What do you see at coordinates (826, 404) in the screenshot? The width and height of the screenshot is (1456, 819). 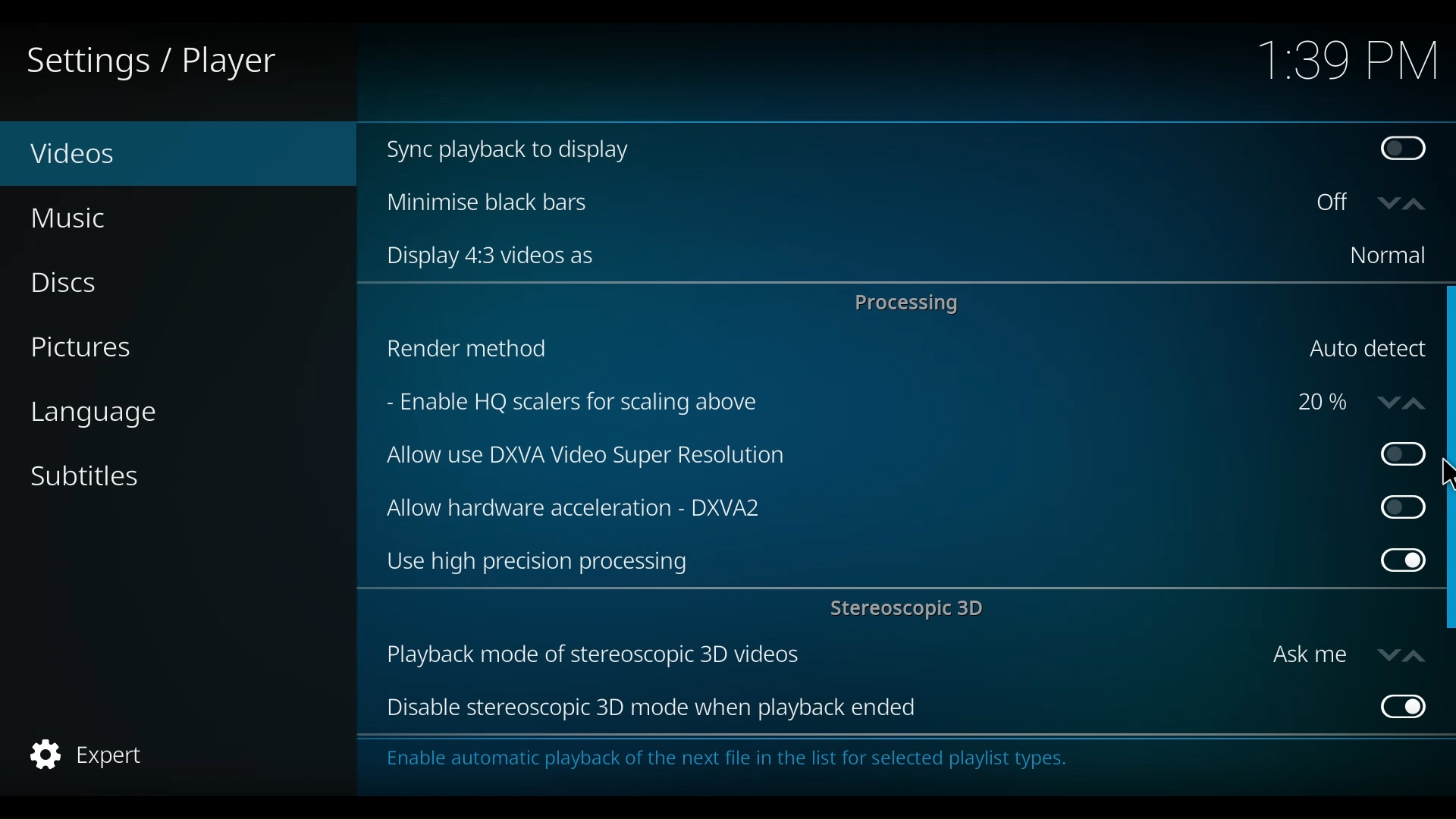 I see `Enable HQ scalers for scaling above` at bounding box center [826, 404].